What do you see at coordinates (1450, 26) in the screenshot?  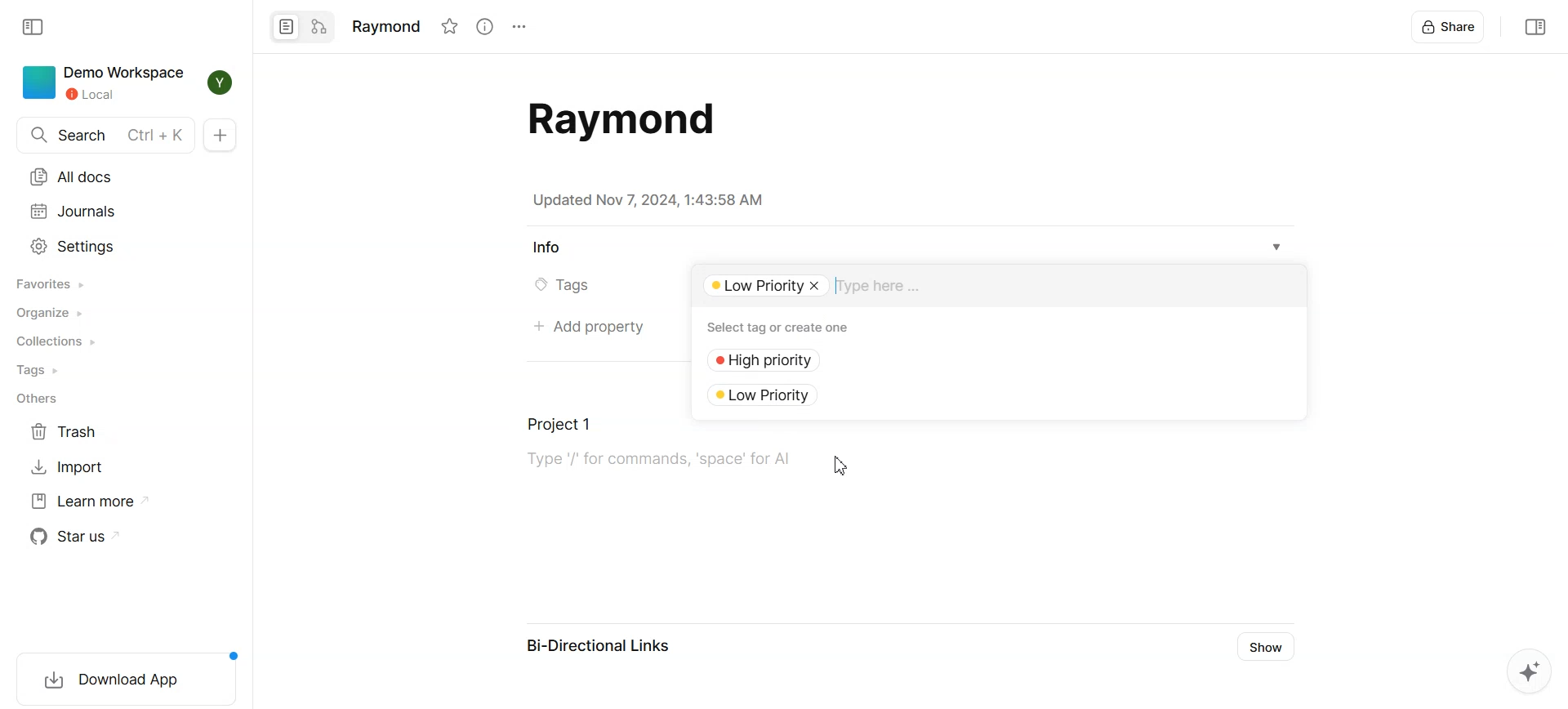 I see `Share` at bounding box center [1450, 26].